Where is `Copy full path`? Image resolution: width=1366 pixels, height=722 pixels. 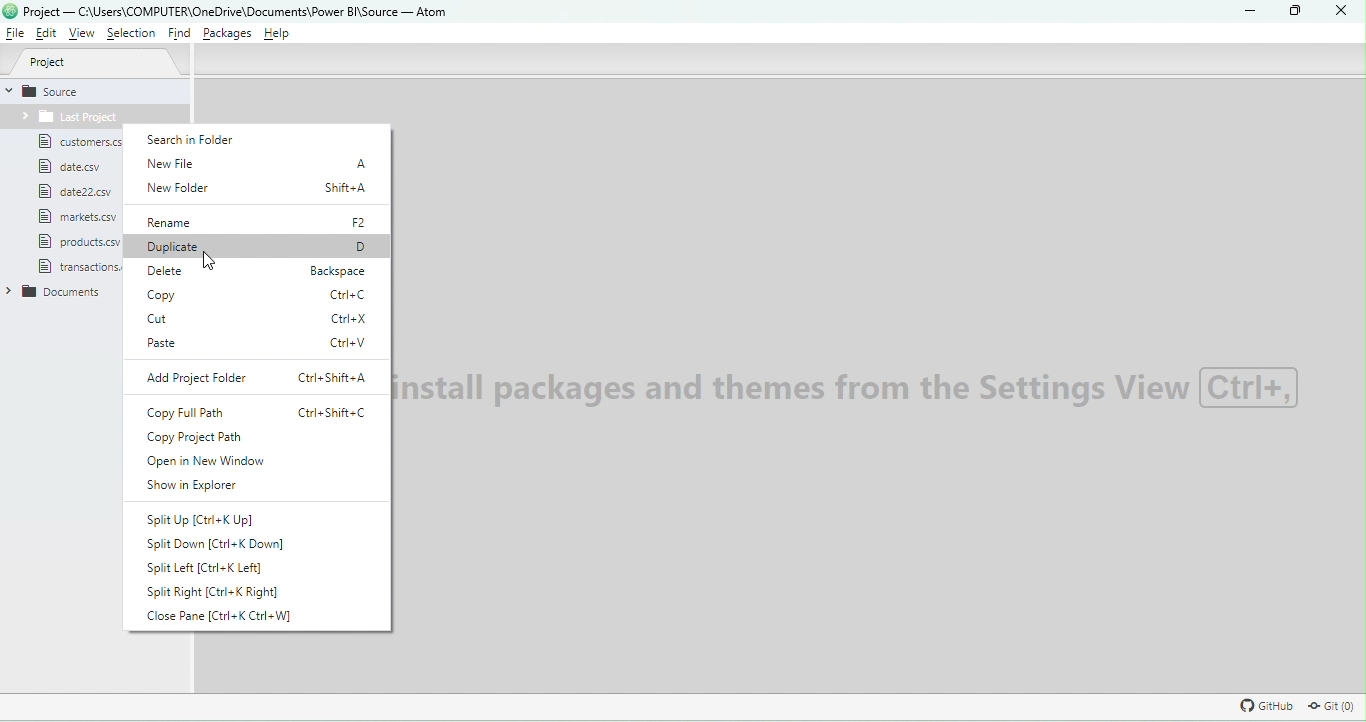
Copy full path is located at coordinates (258, 413).